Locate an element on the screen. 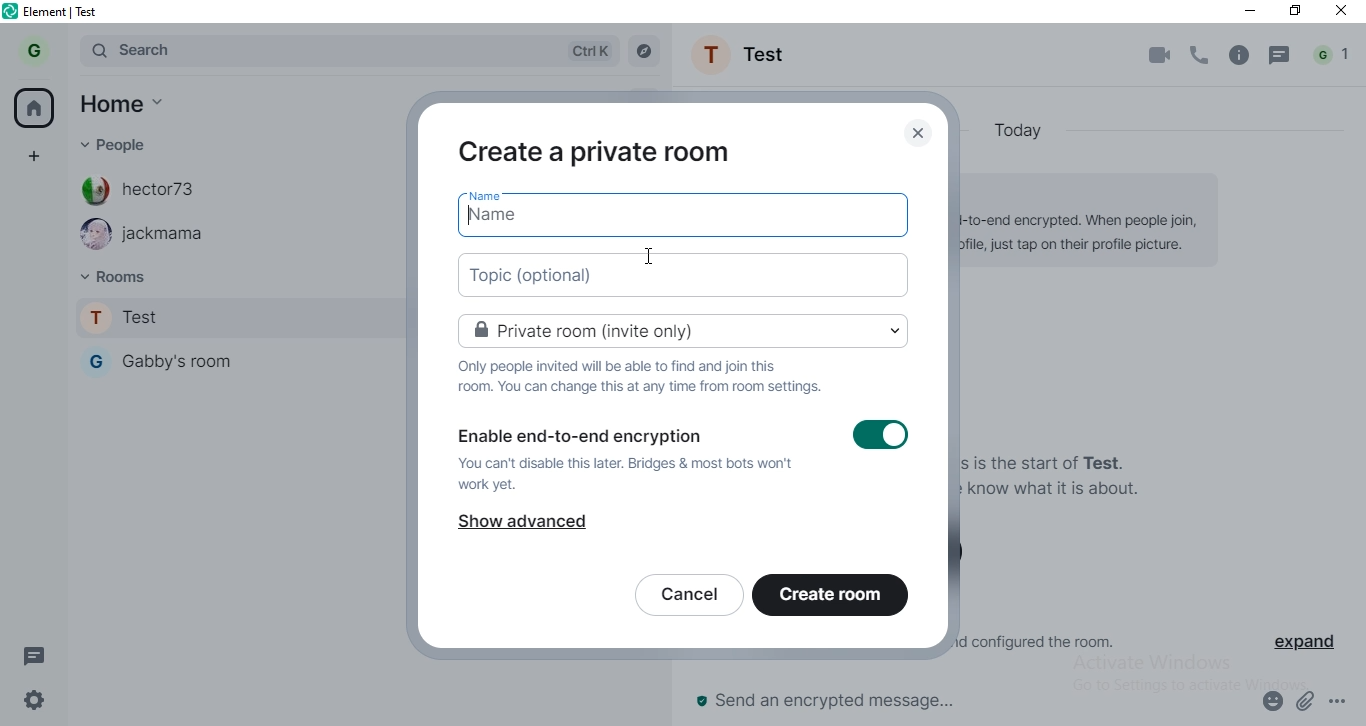 The width and height of the screenshot is (1366, 726). Test is located at coordinates (745, 54).